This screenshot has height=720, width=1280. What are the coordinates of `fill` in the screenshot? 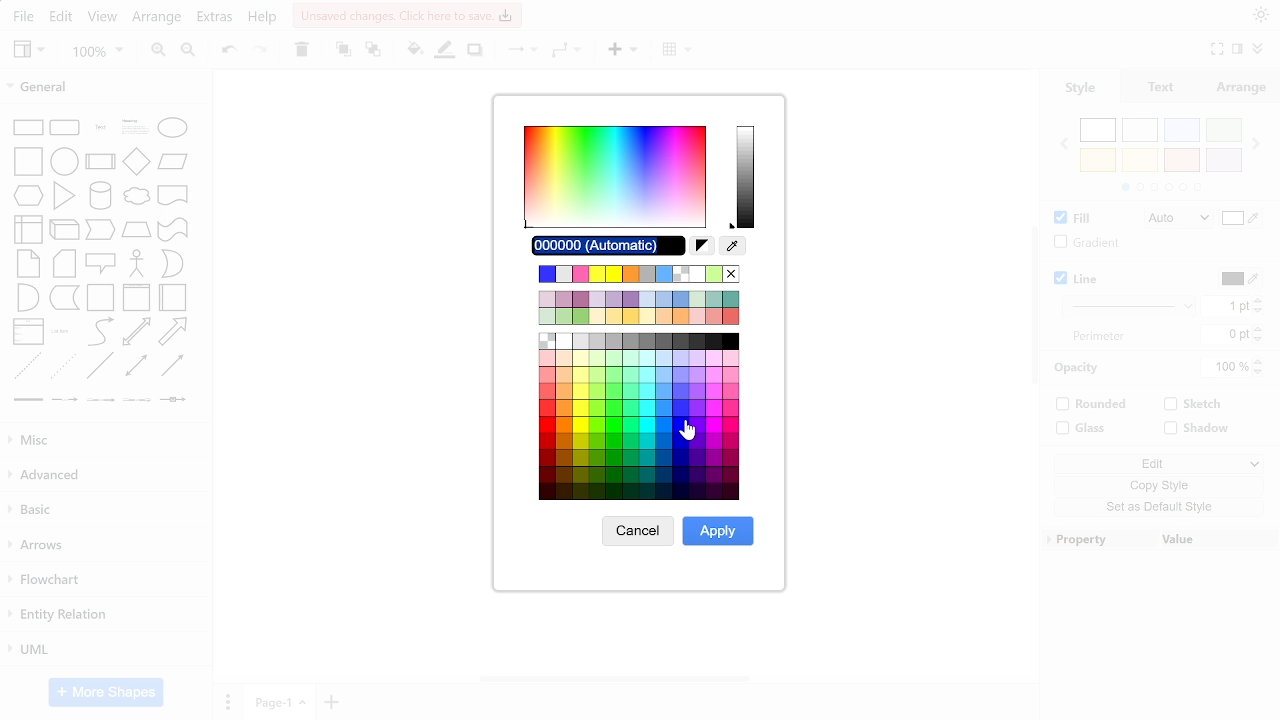 It's located at (1070, 219).